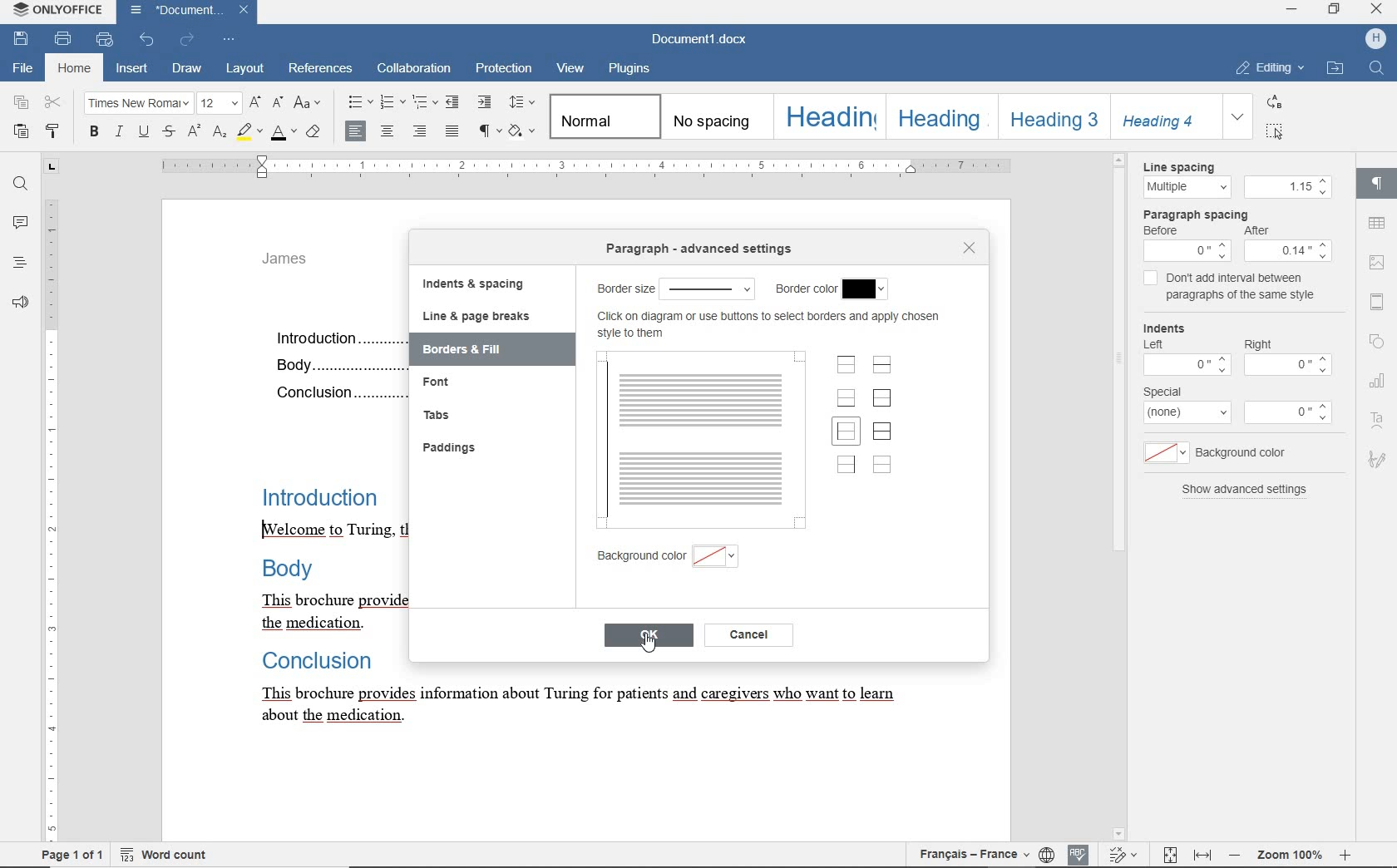 Image resolution: width=1397 pixels, height=868 pixels. Describe the element at coordinates (970, 854) in the screenshot. I see `text language` at that location.